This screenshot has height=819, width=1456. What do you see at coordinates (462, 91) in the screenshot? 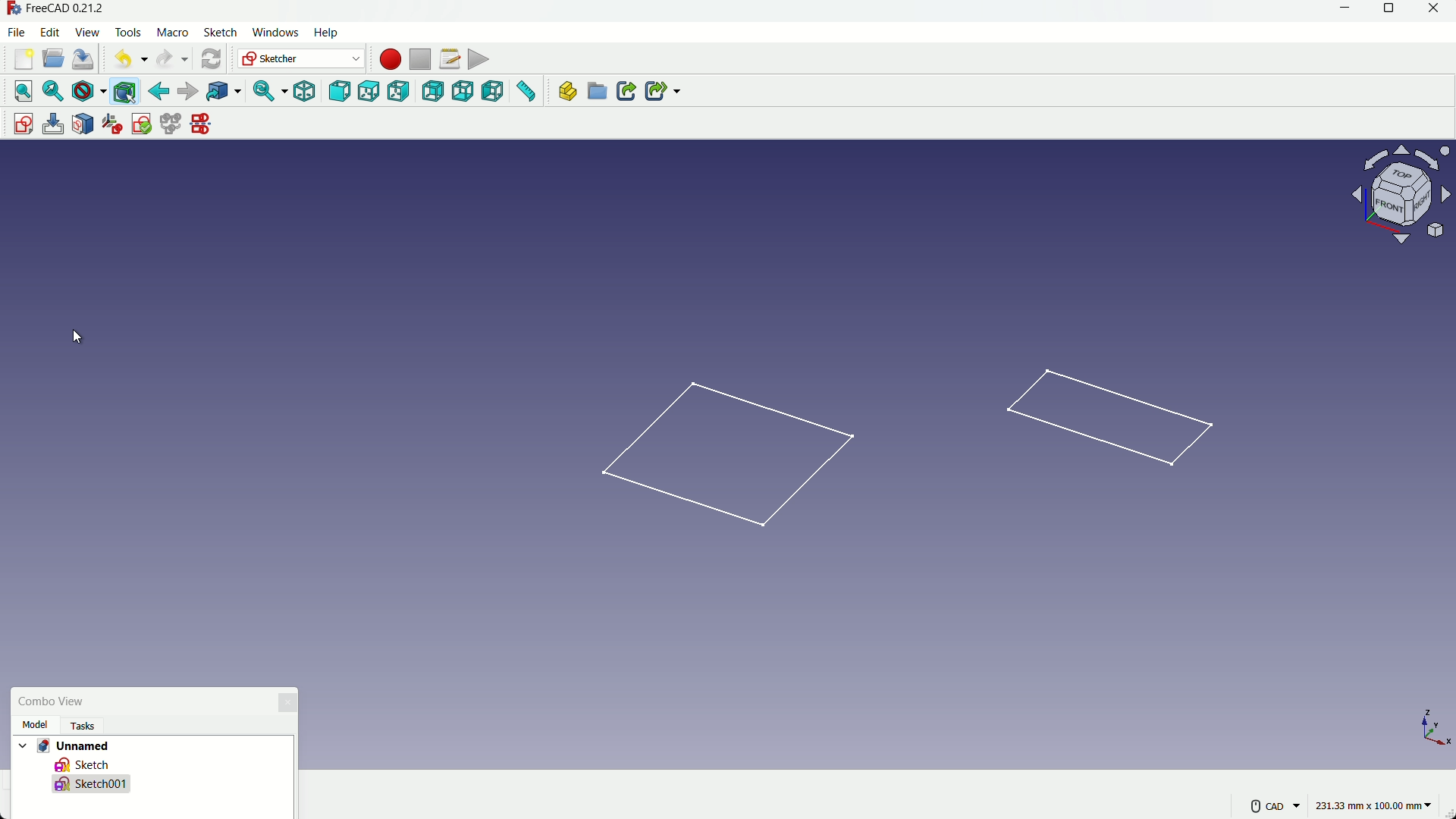
I see `bottom view` at bounding box center [462, 91].